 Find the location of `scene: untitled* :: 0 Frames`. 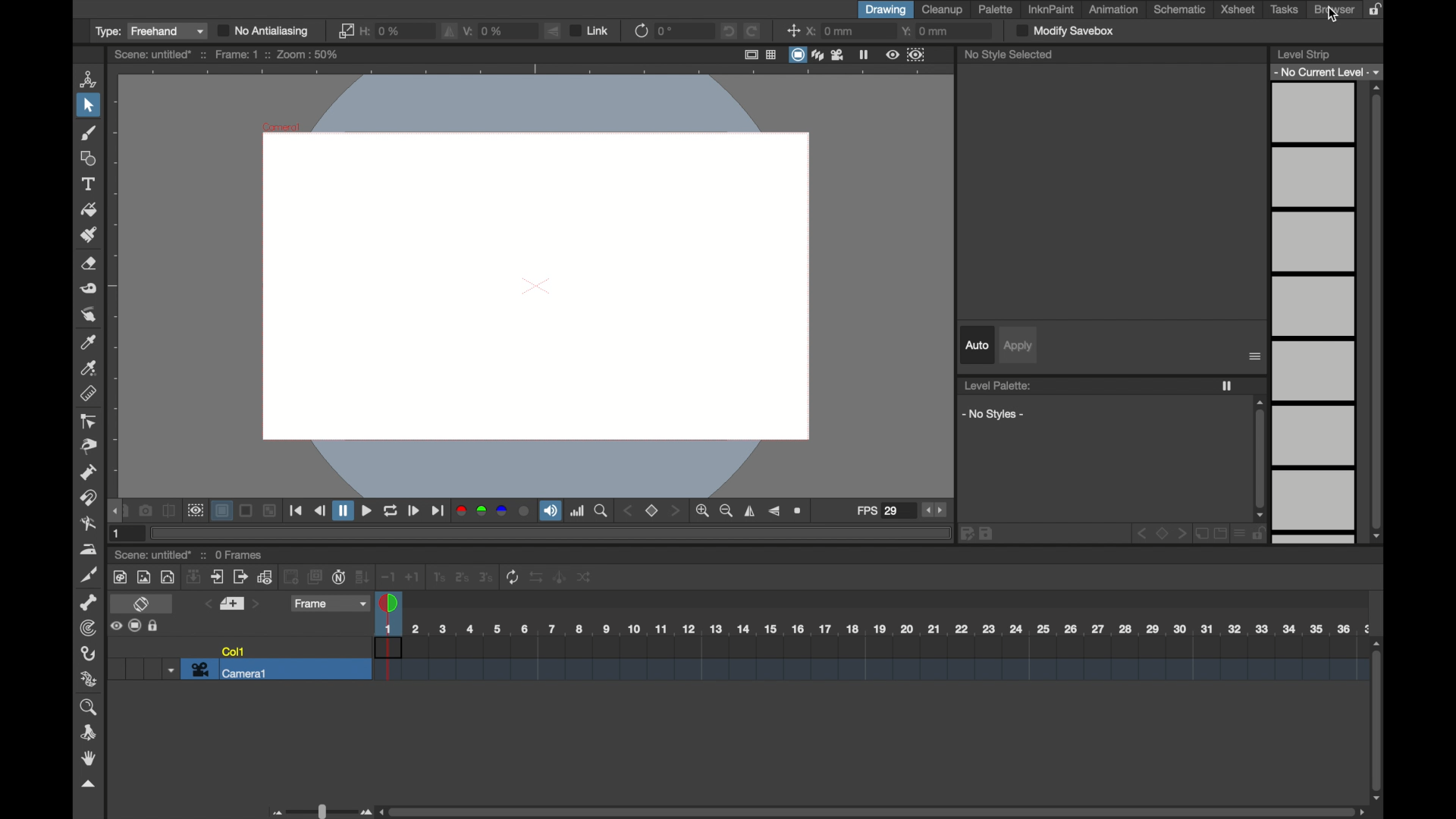

scene: untitled* :: 0 Frames is located at coordinates (191, 555).